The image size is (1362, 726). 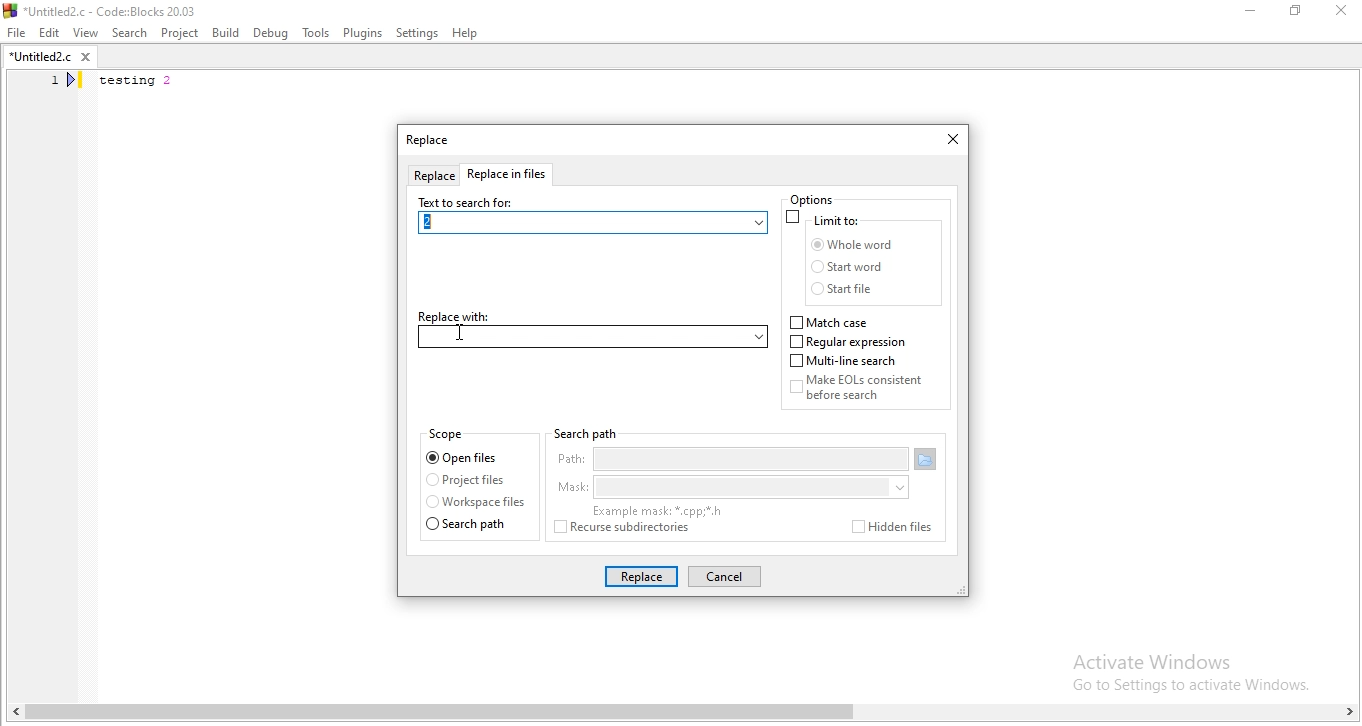 I want to click on path, so click(x=730, y=461).